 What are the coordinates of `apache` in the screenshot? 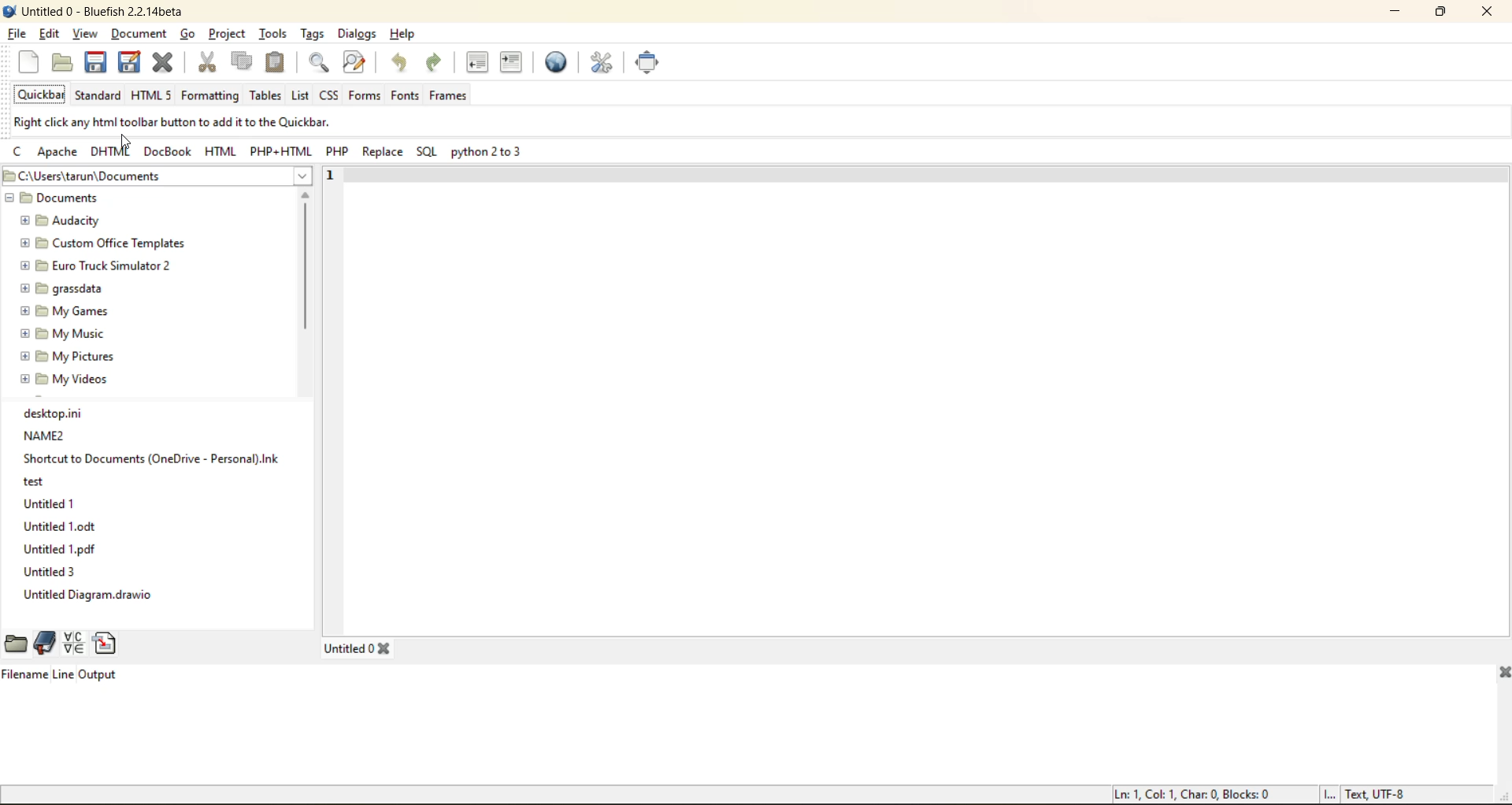 It's located at (59, 154).